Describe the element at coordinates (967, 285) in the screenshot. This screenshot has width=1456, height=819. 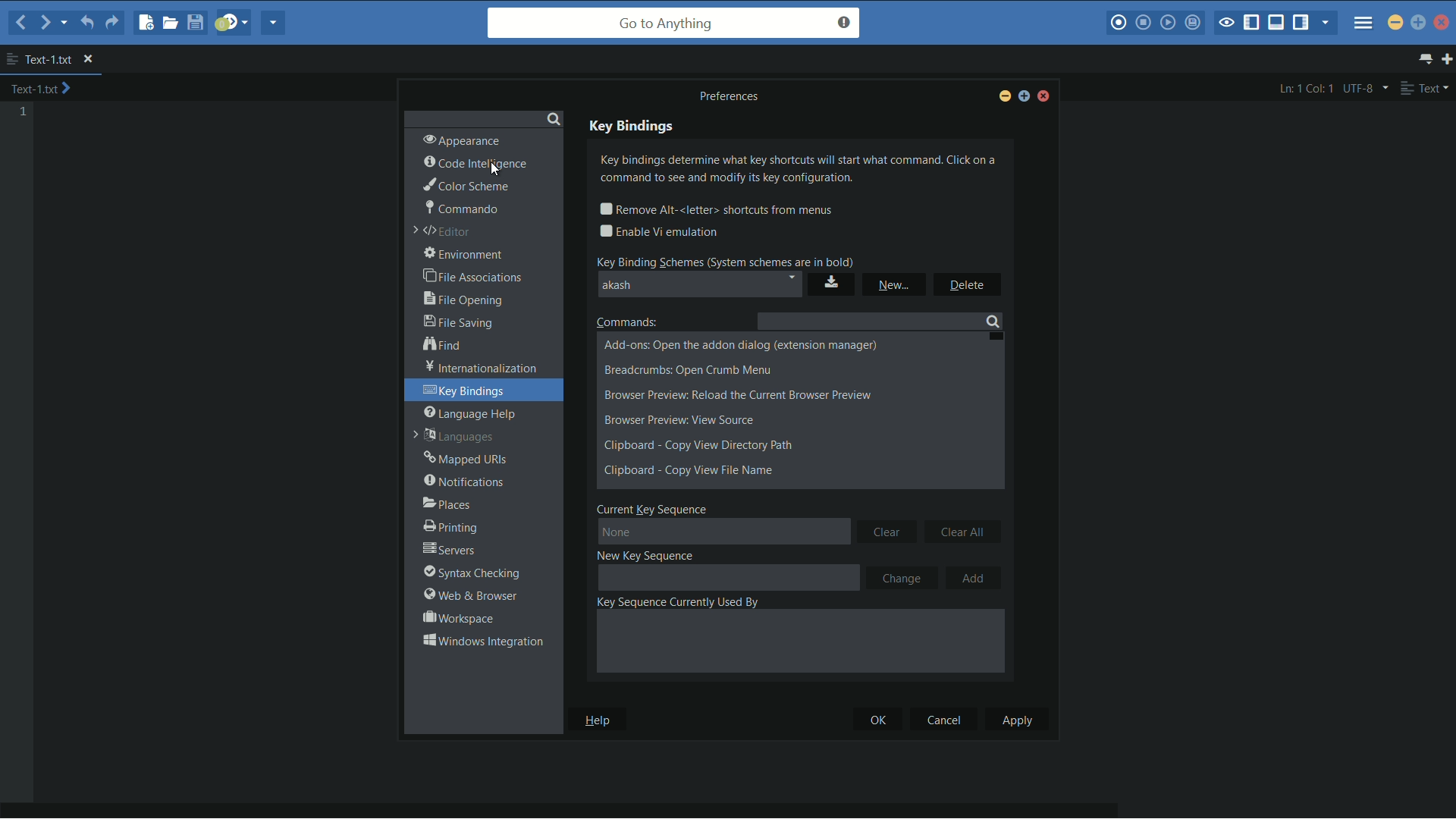
I see `delete` at that location.